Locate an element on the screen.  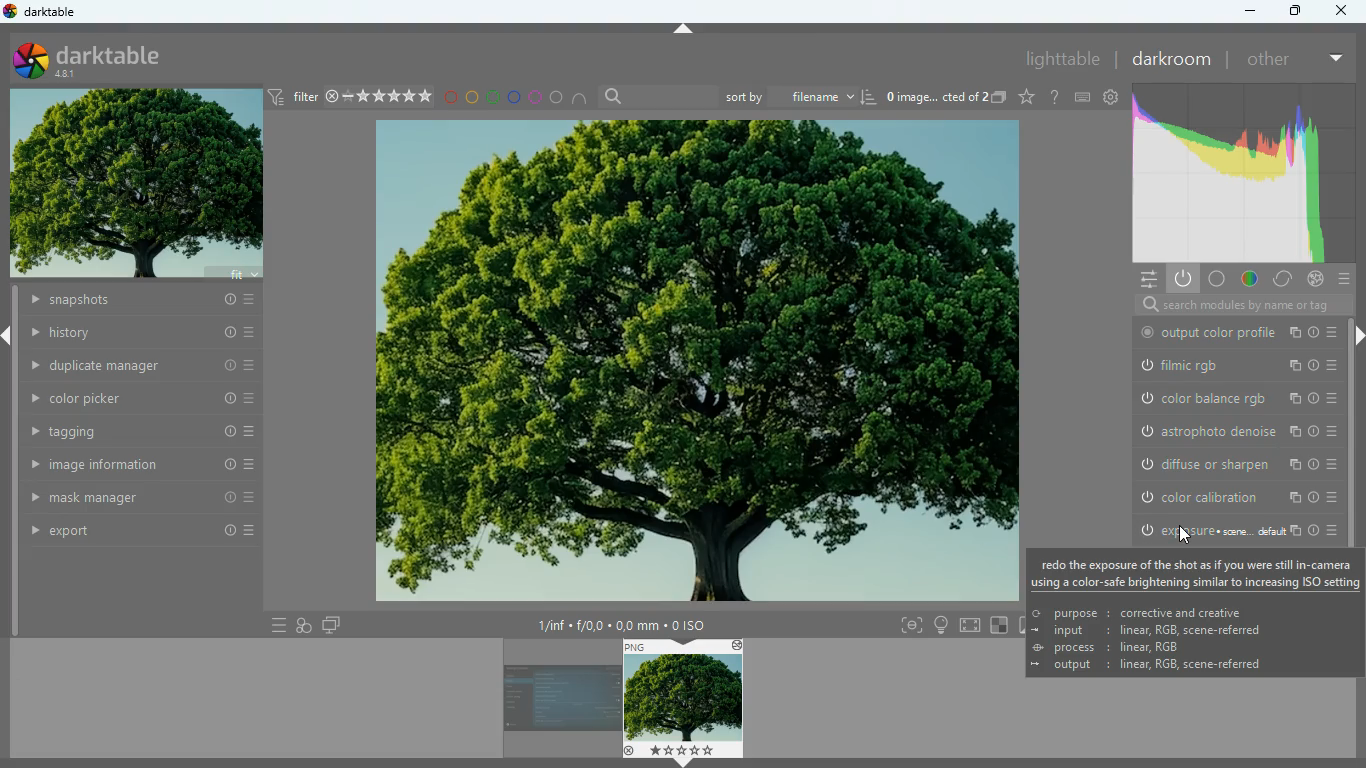
copy is located at coordinates (1001, 98).